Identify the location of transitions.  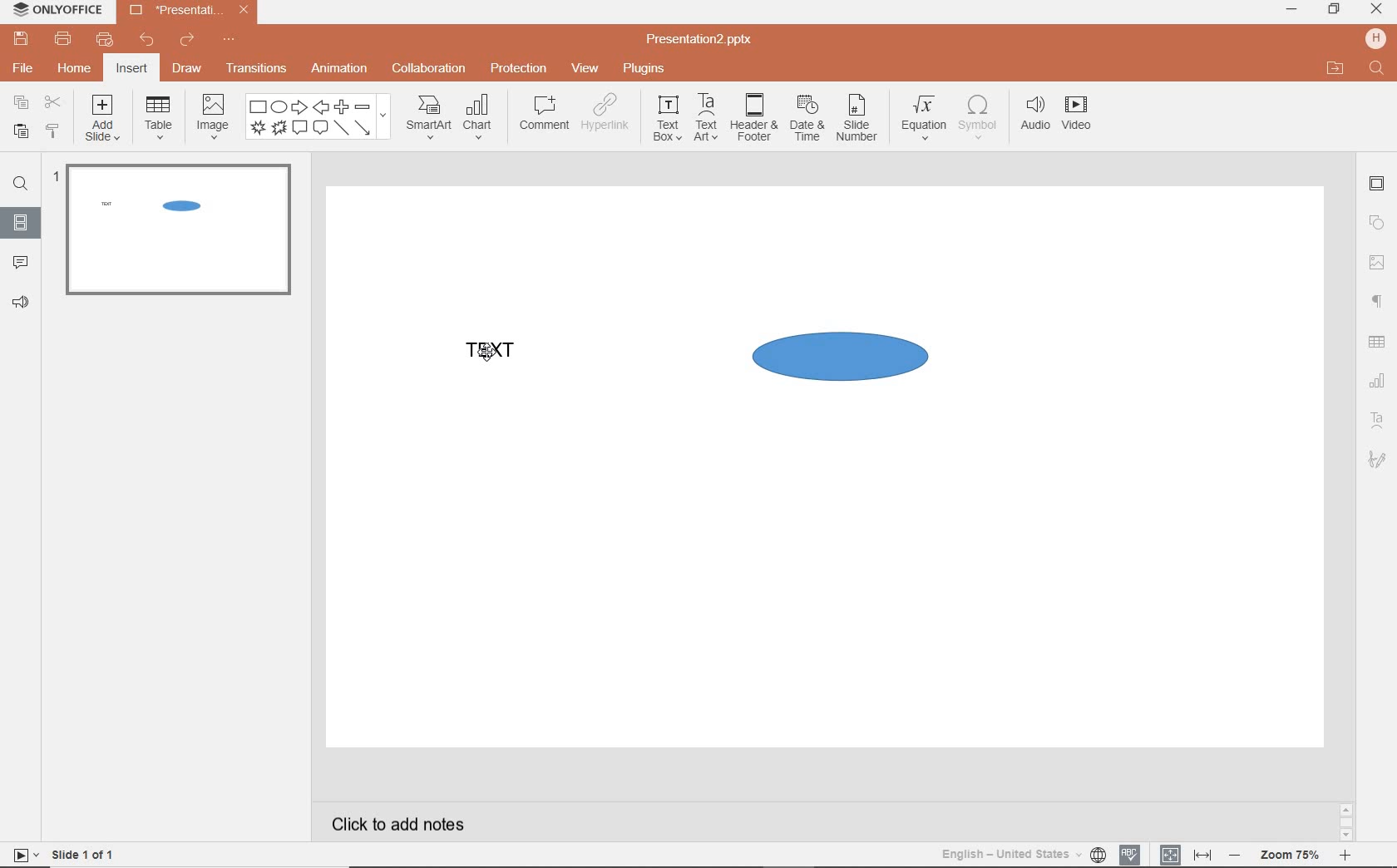
(257, 67).